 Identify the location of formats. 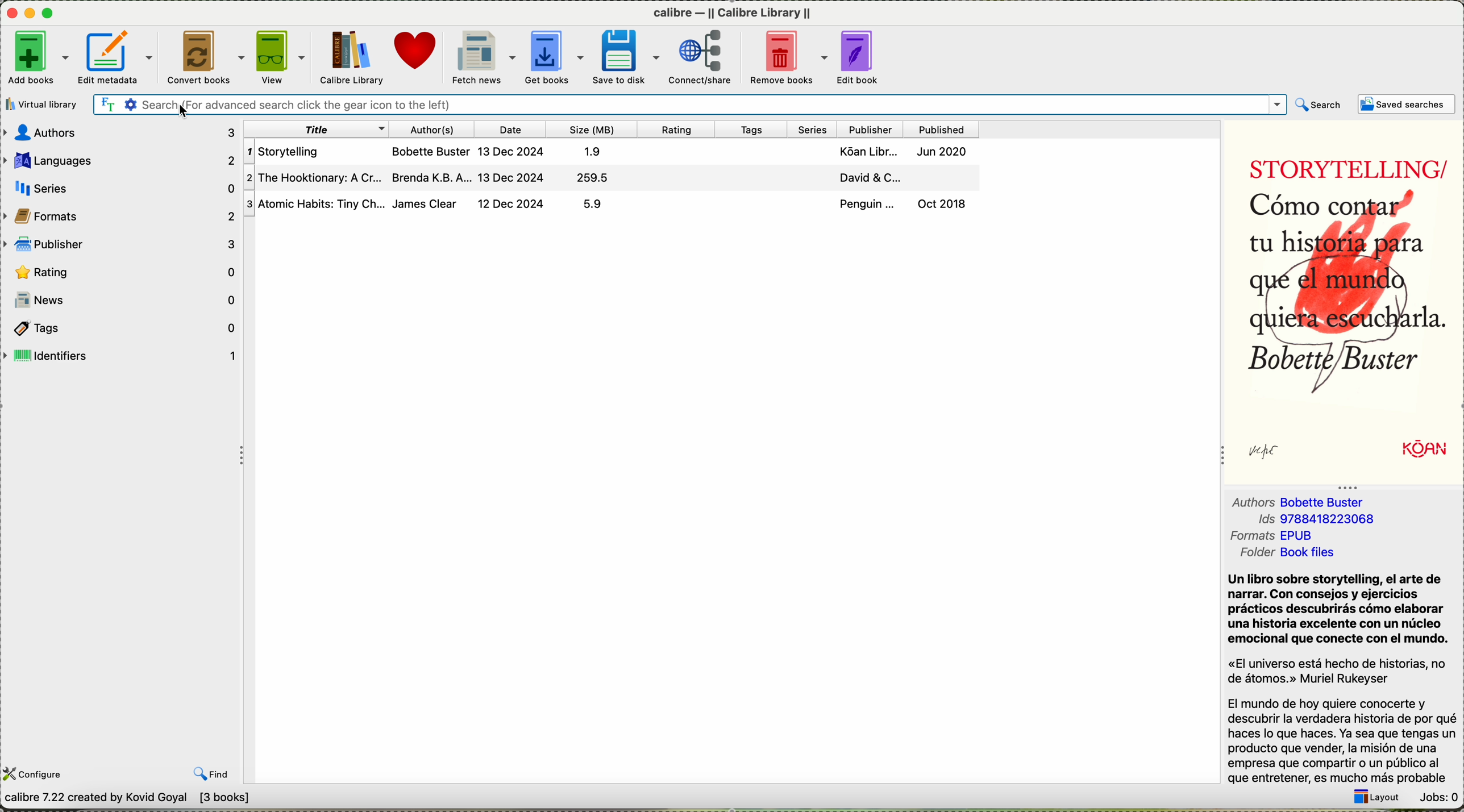
(122, 216).